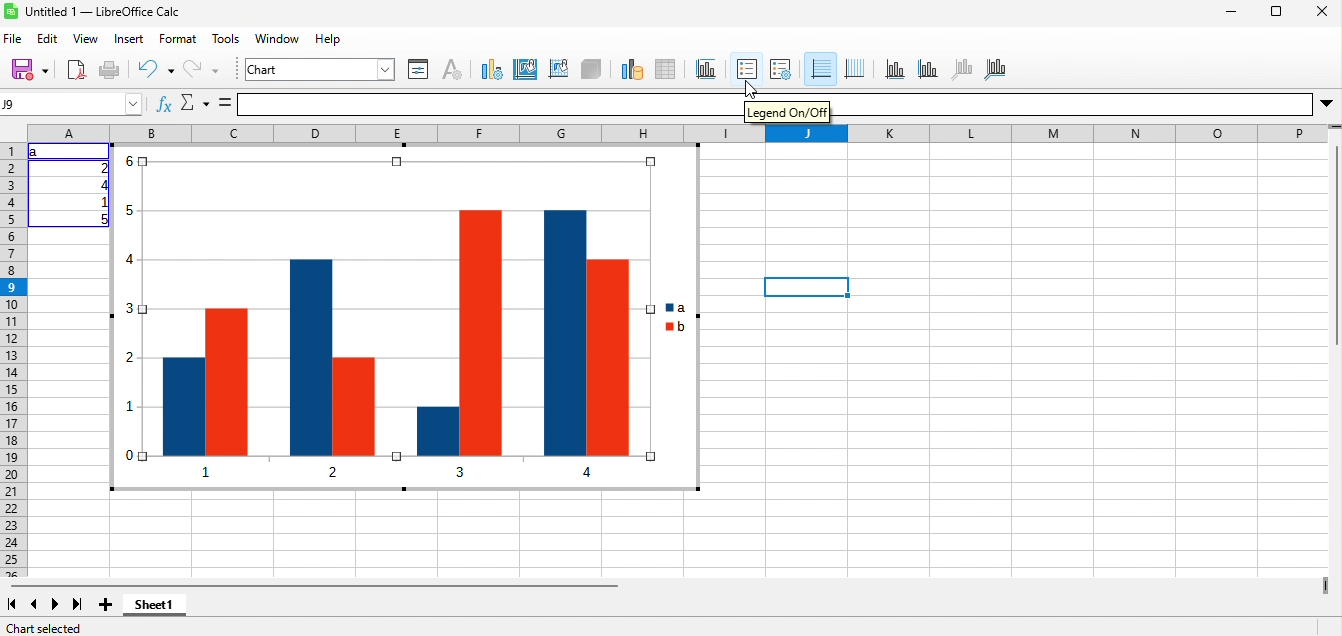 This screenshot has width=1342, height=636. What do you see at coordinates (1326, 104) in the screenshot?
I see `More options` at bounding box center [1326, 104].